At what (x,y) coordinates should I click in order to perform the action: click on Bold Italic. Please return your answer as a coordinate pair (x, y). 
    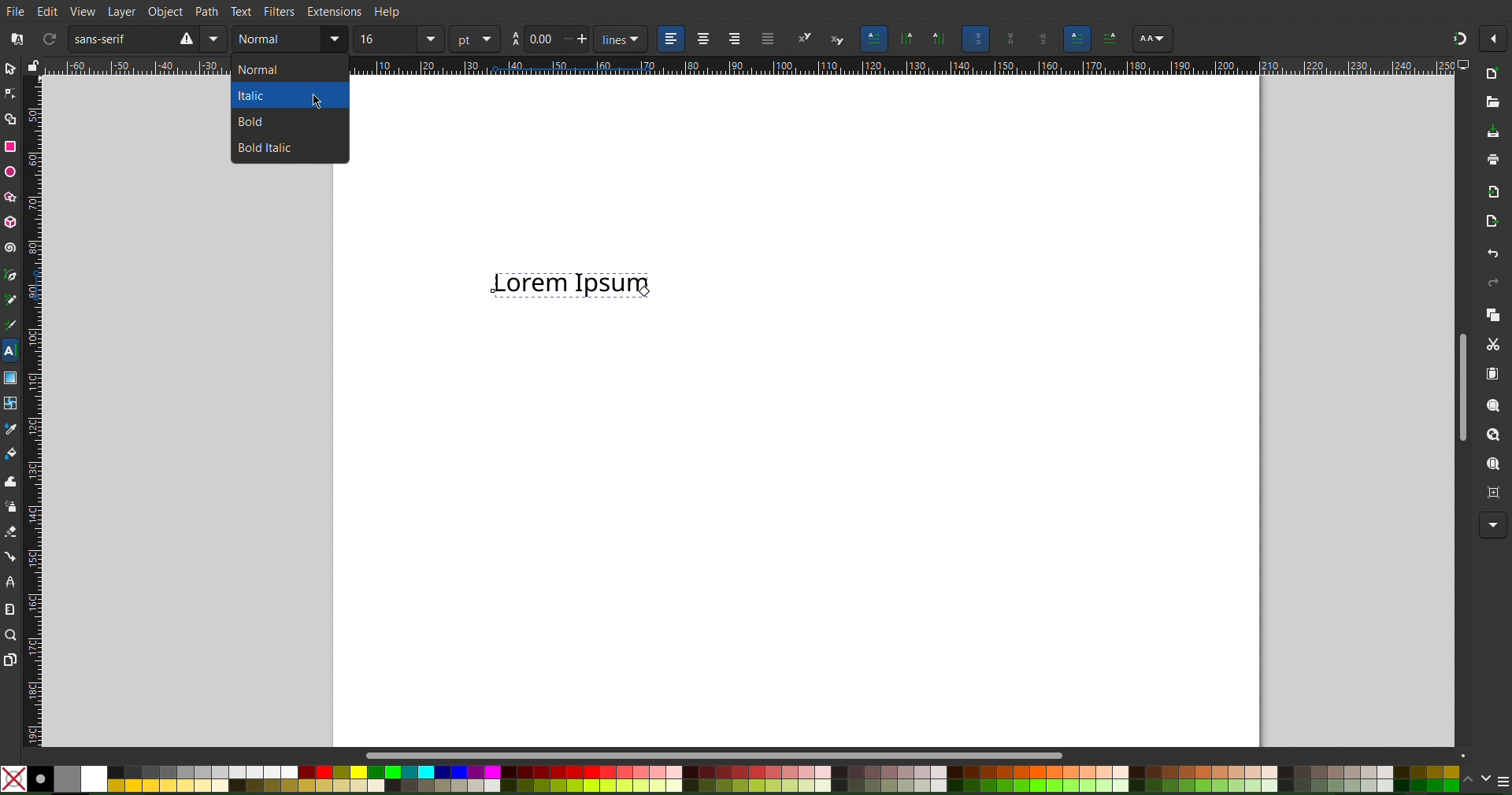
    Looking at the image, I should click on (269, 146).